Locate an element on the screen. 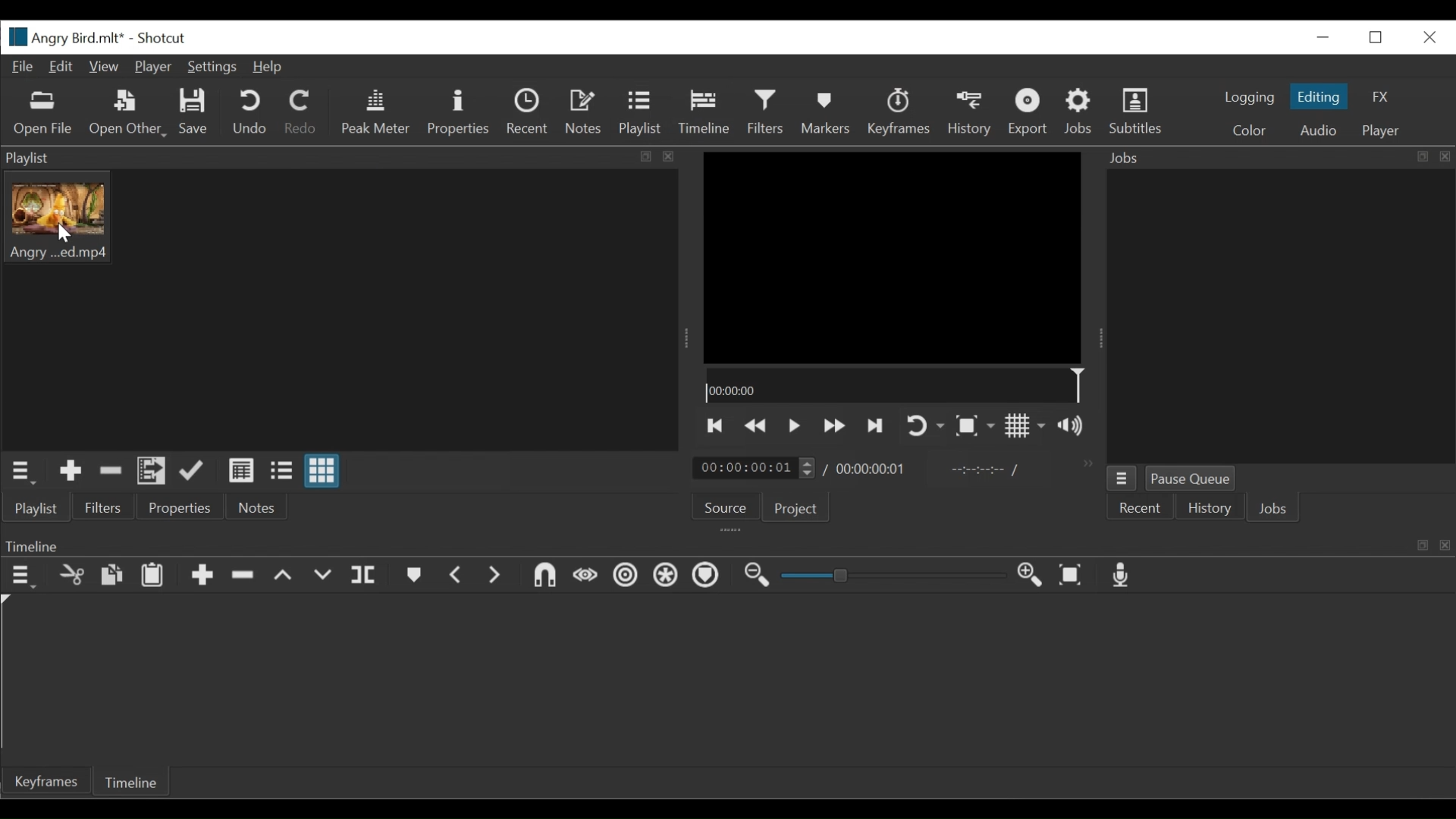 Image resolution: width=1456 pixels, height=819 pixels. View is located at coordinates (102, 65).